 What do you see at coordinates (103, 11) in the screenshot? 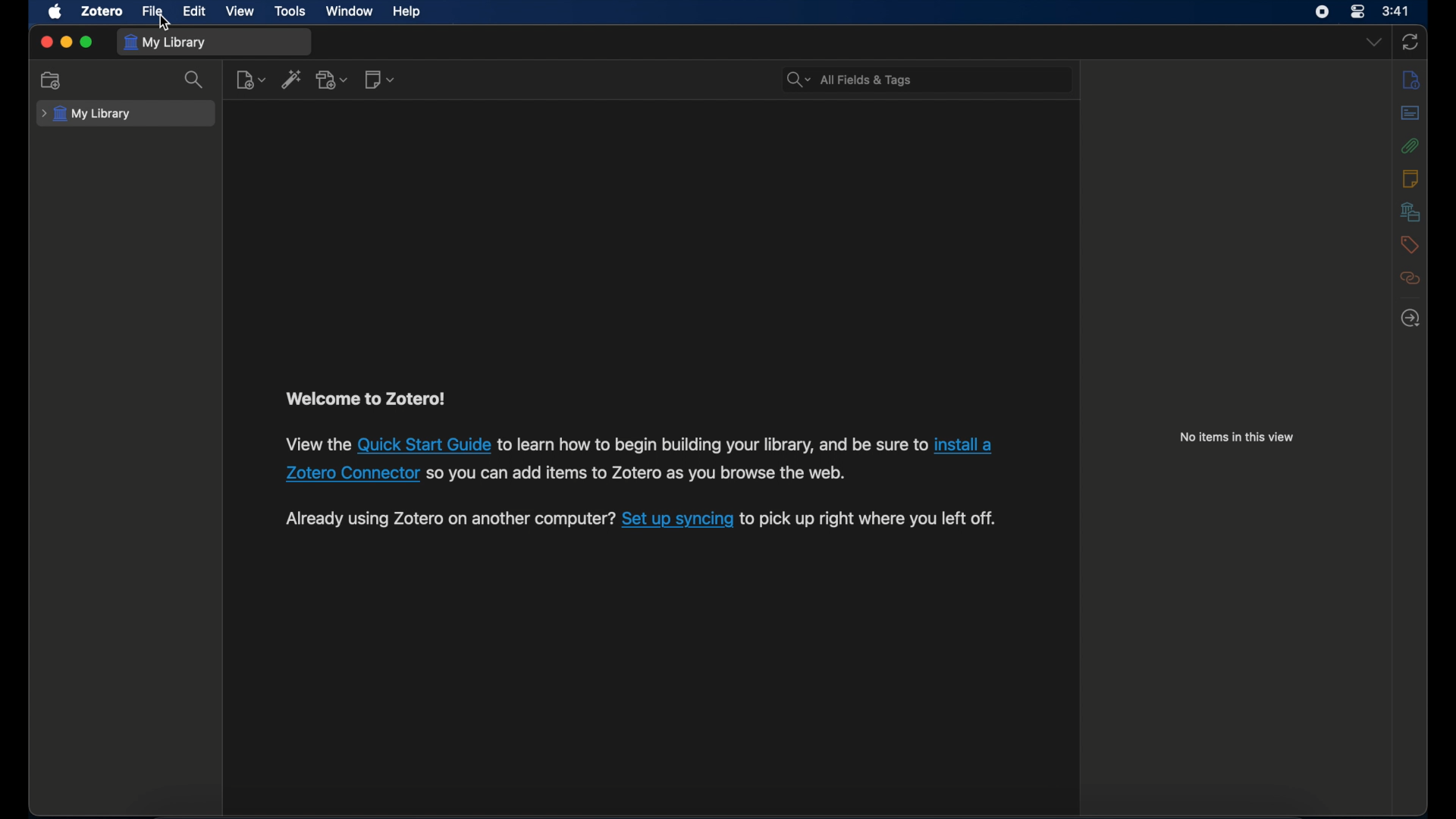
I see `zotero` at bounding box center [103, 11].